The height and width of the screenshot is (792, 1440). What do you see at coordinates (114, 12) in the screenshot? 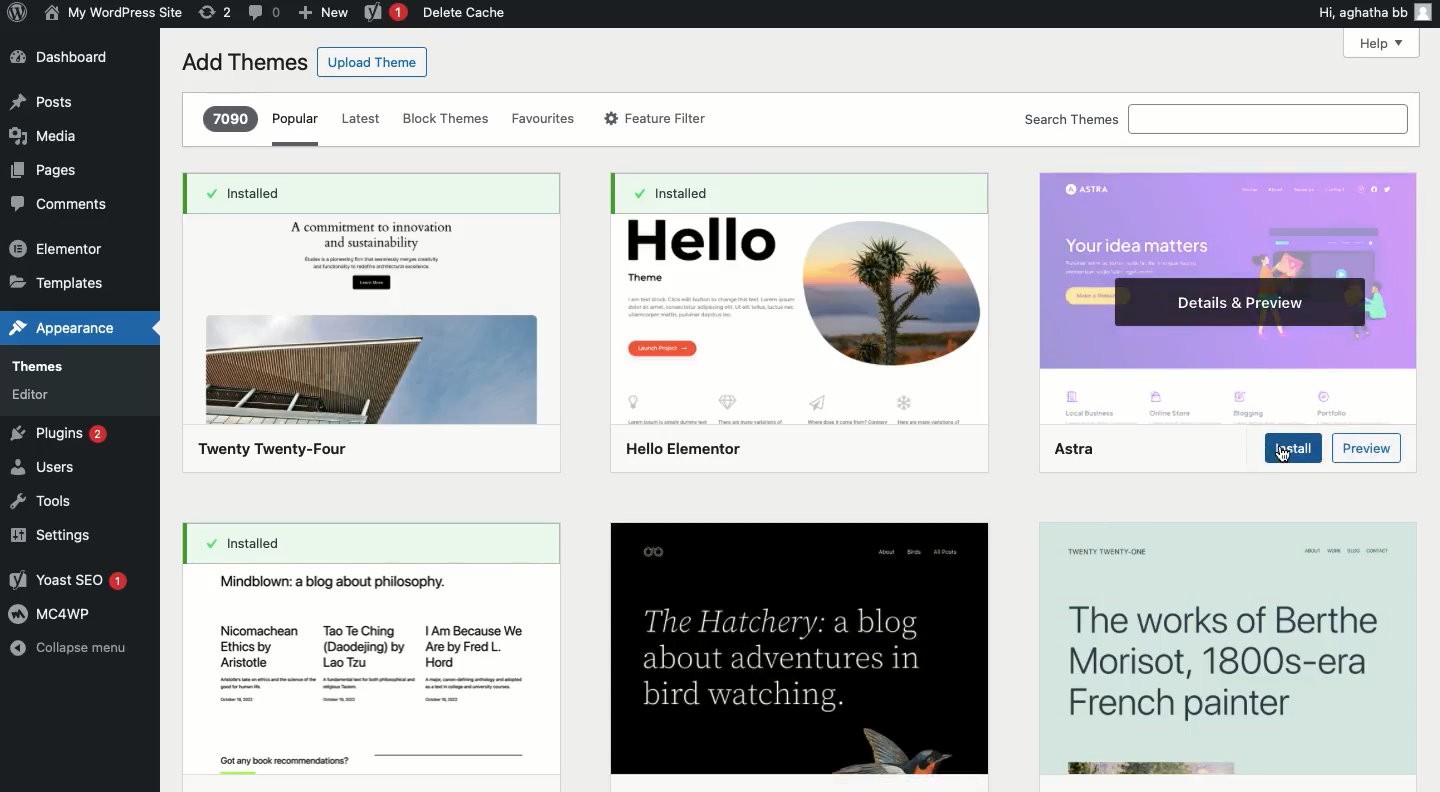
I see `Name` at bounding box center [114, 12].